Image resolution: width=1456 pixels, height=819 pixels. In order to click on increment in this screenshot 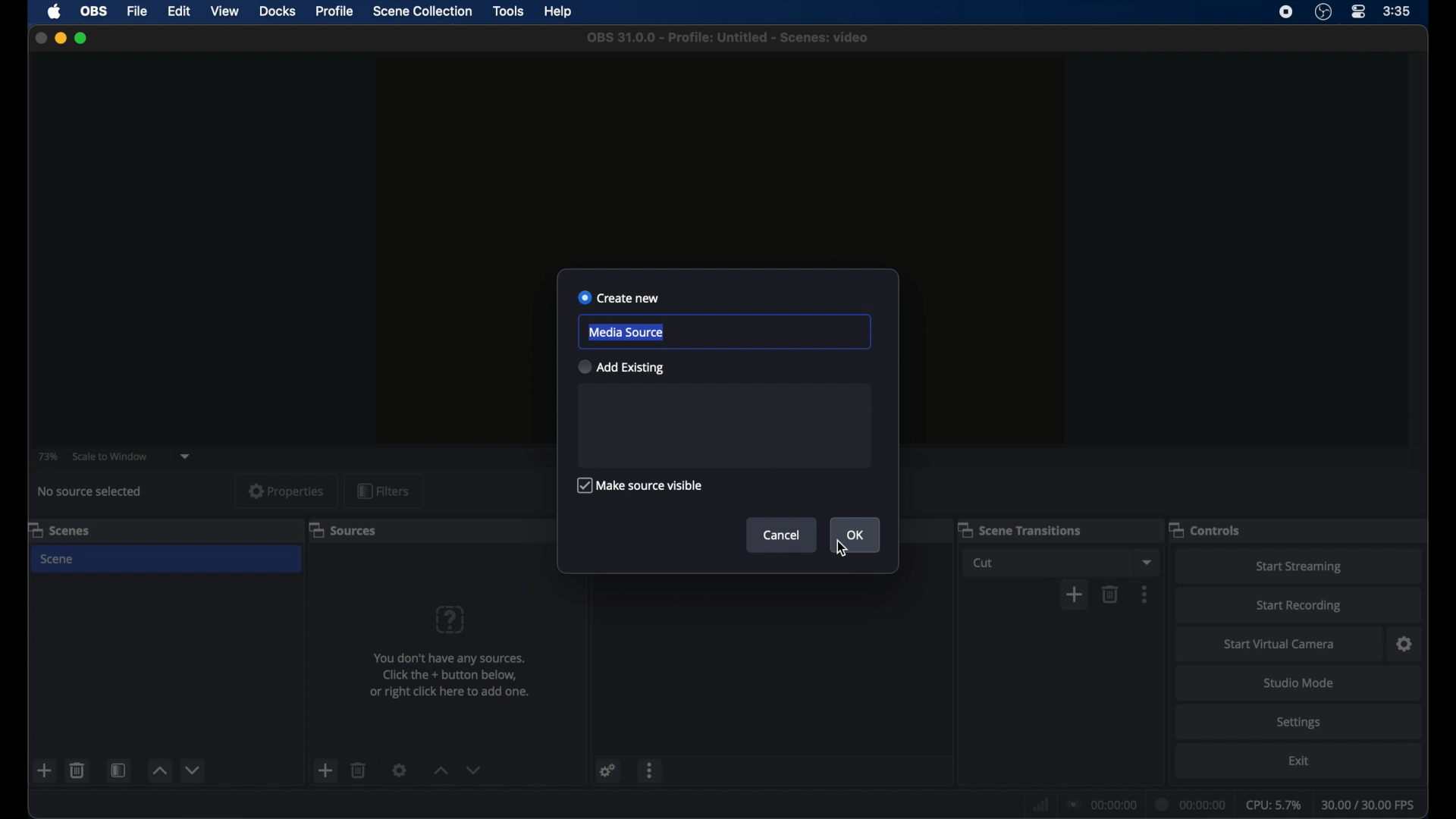, I will do `click(440, 770)`.